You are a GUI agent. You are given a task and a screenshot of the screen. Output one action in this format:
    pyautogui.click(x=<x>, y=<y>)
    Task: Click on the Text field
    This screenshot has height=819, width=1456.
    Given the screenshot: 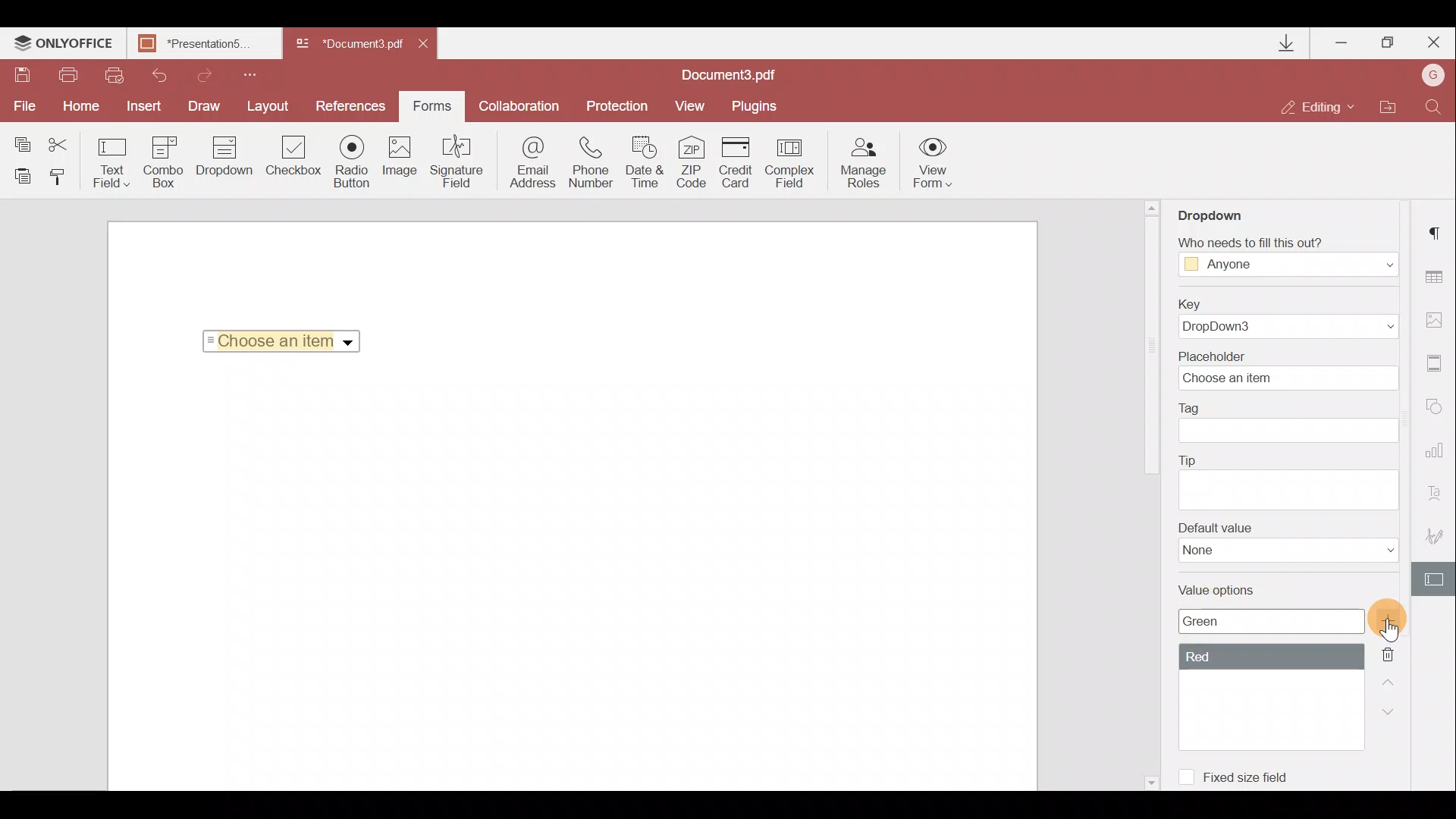 What is the action you would take?
    pyautogui.click(x=109, y=162)
    